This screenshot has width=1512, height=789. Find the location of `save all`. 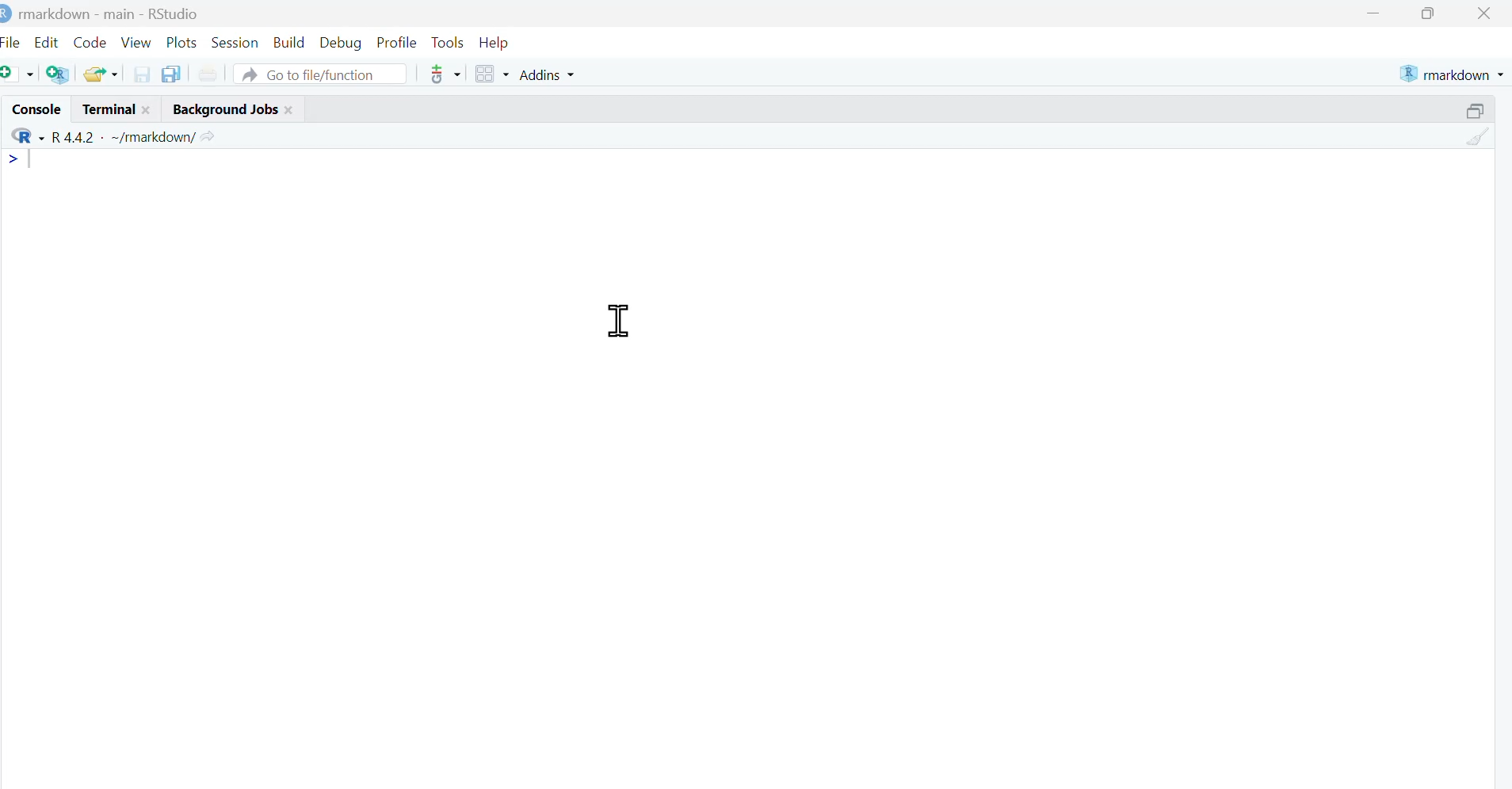

save all is located at coordinates (170, 73).